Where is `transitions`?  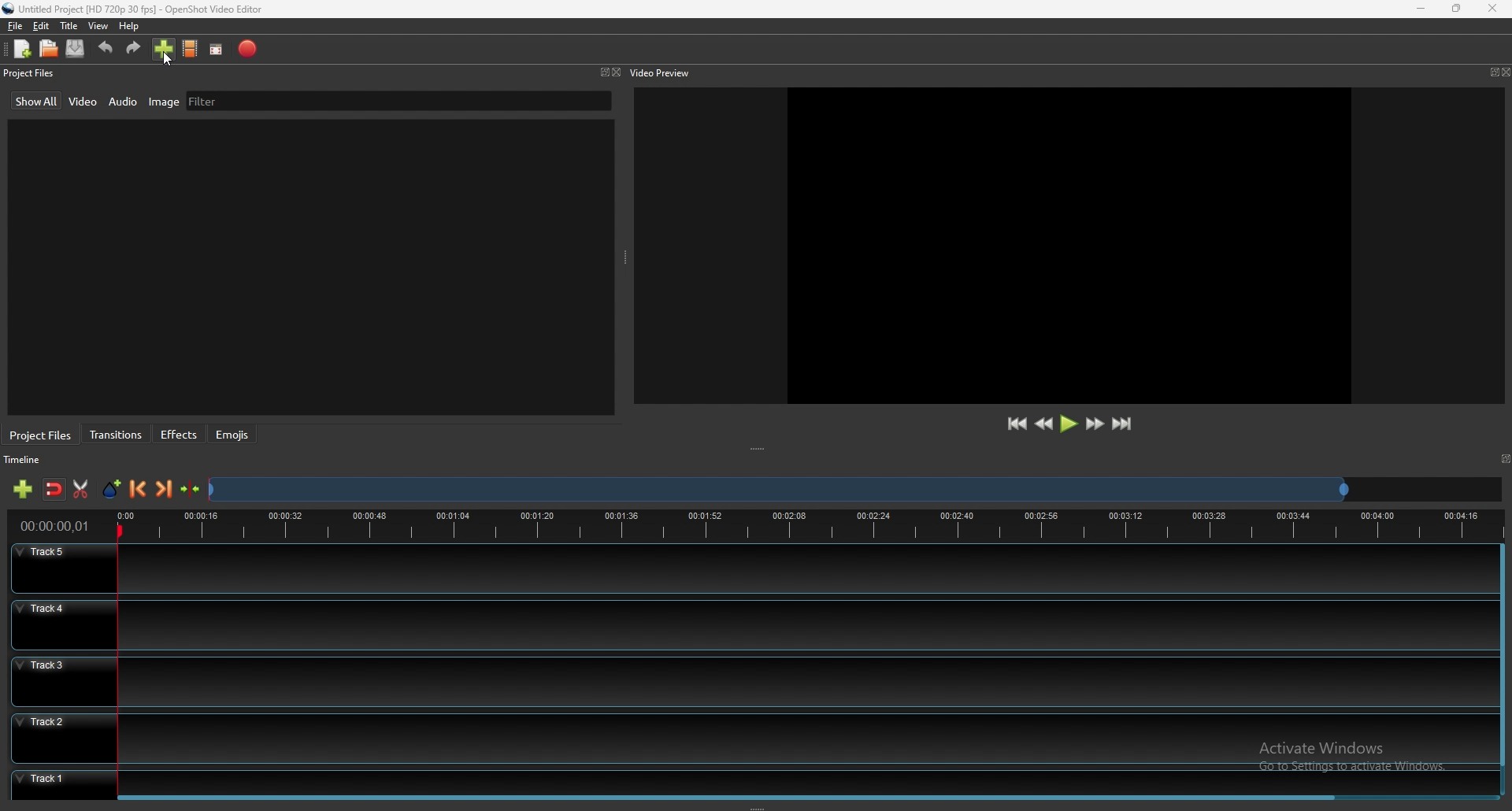 transitions is located at coordinates (117, 435).